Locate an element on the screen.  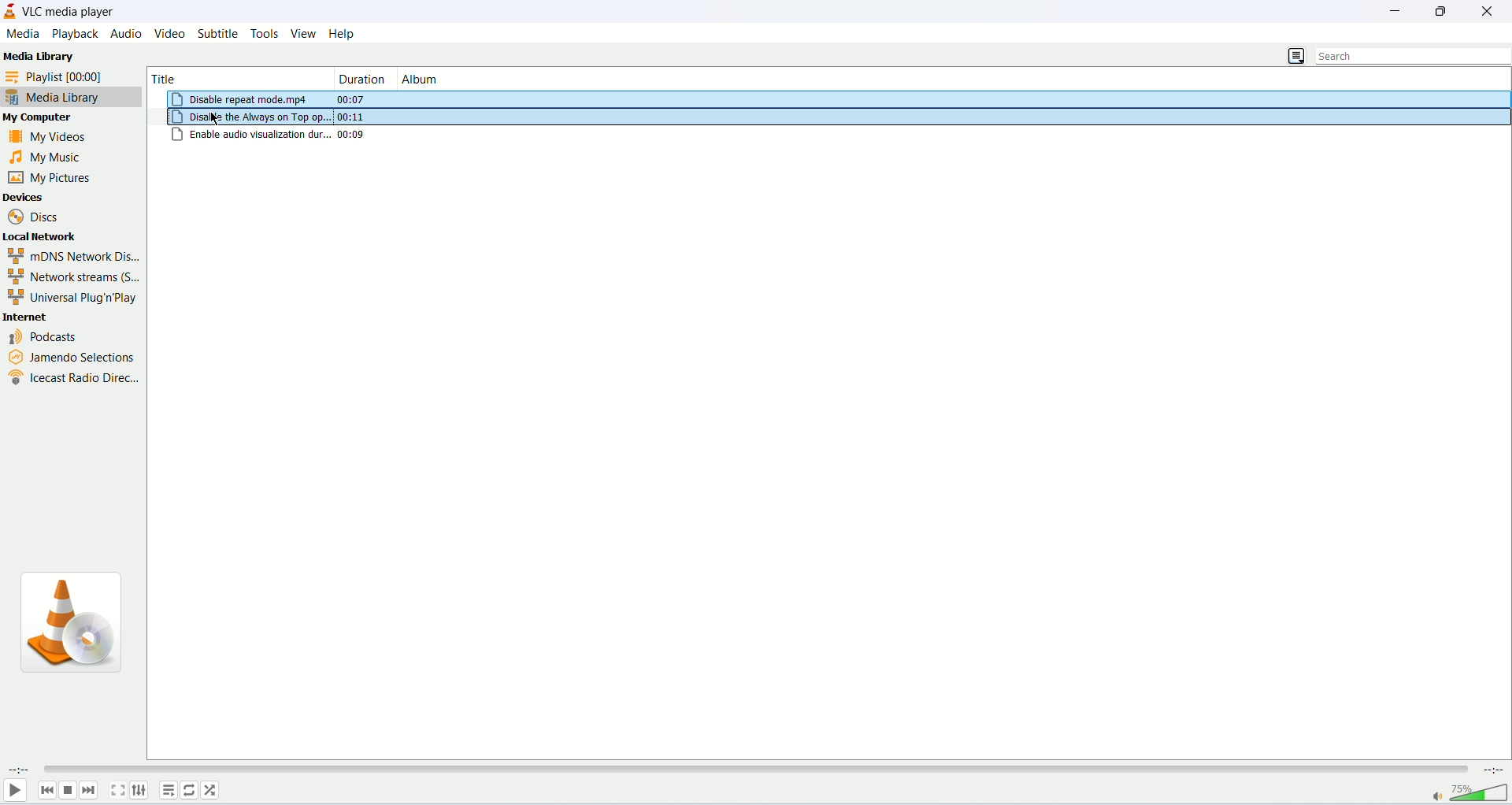
00:11 is located at coordinates (350, 117).